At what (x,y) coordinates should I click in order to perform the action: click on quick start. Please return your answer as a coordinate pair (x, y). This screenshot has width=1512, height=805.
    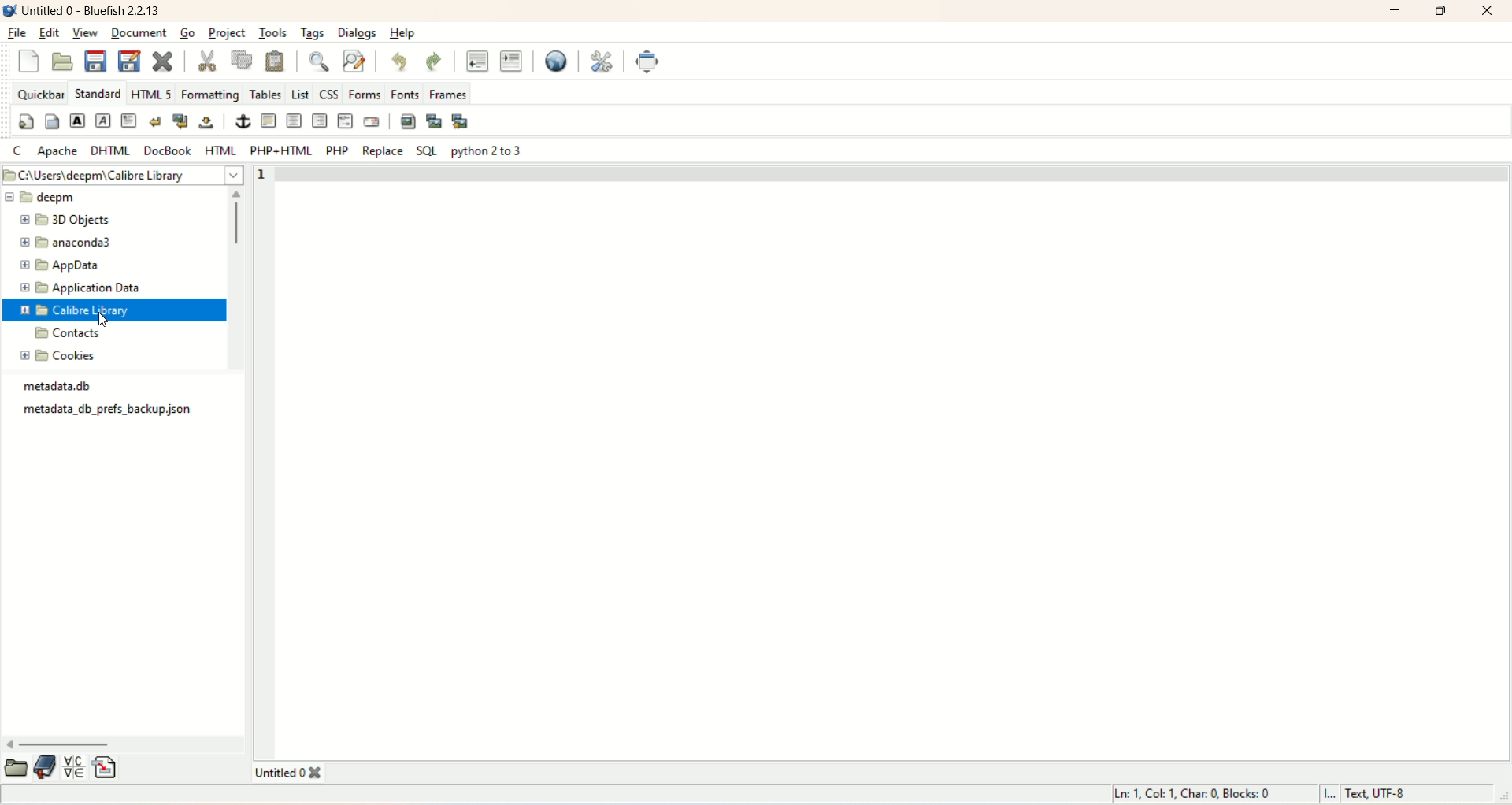
    Looking at the image, I should click on (25, 121).